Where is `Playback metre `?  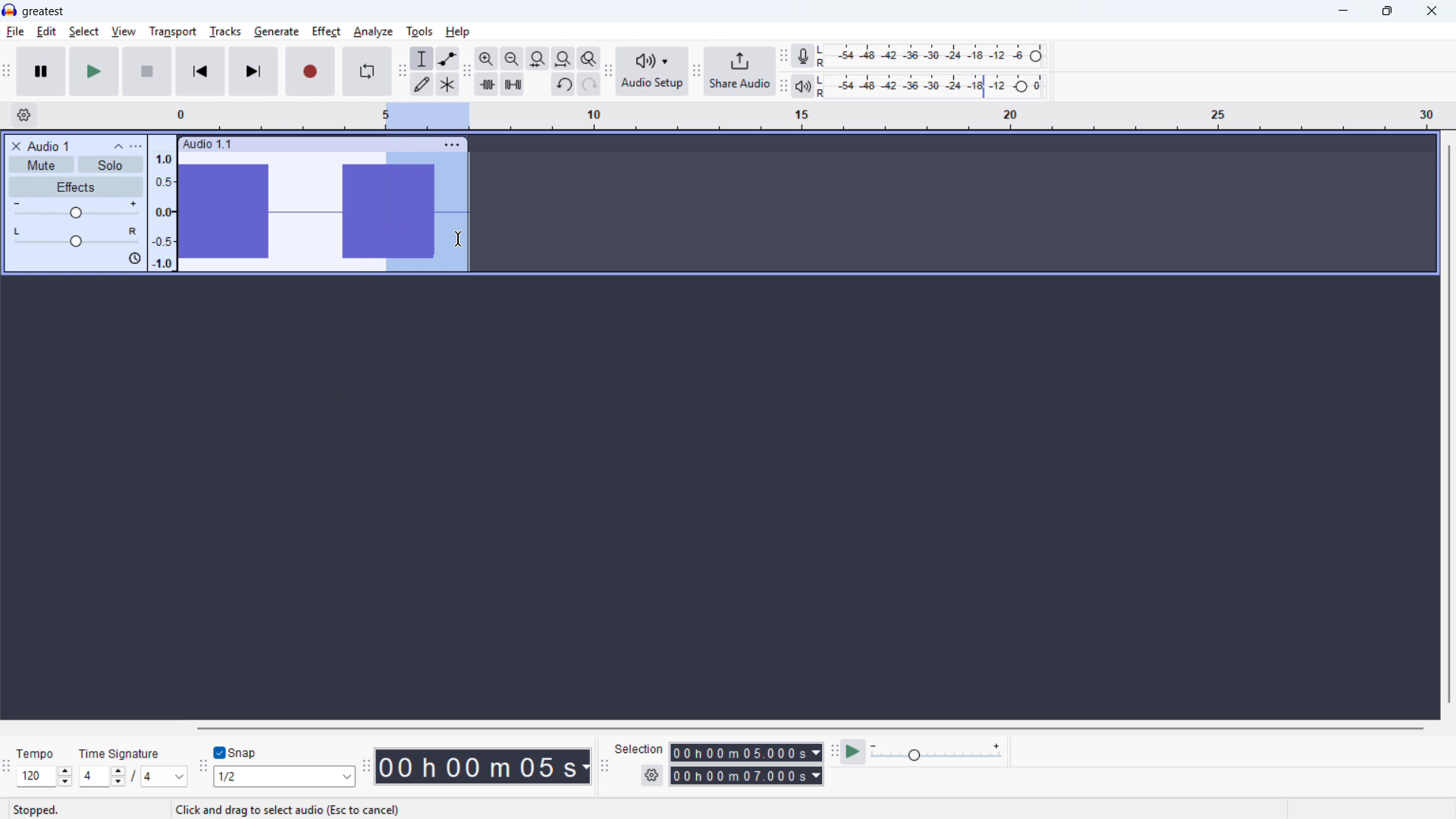
Playback metre  is located at coordinates (802, 86).